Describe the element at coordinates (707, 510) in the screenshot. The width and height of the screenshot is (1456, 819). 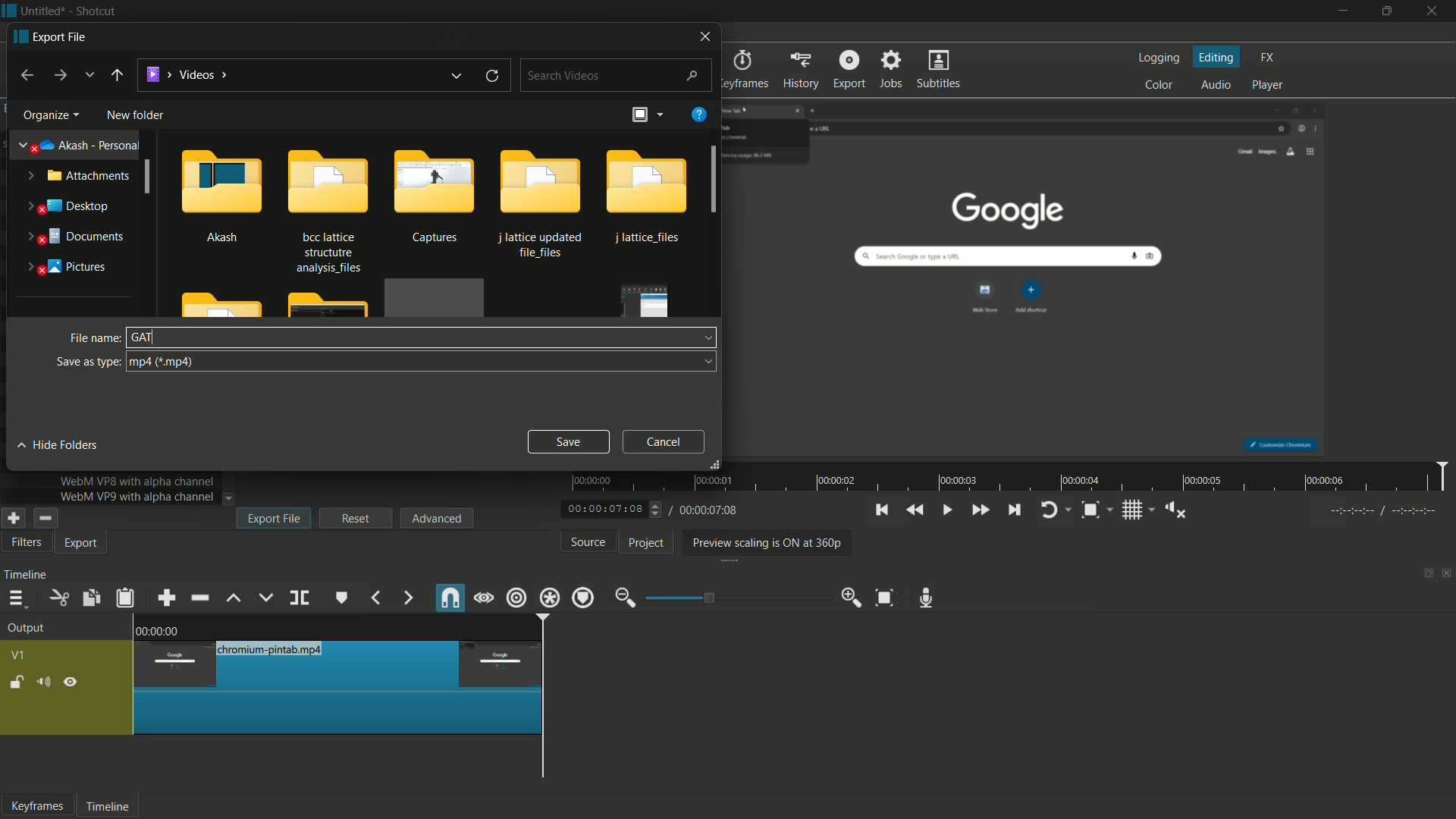
I see `total time` at that location.